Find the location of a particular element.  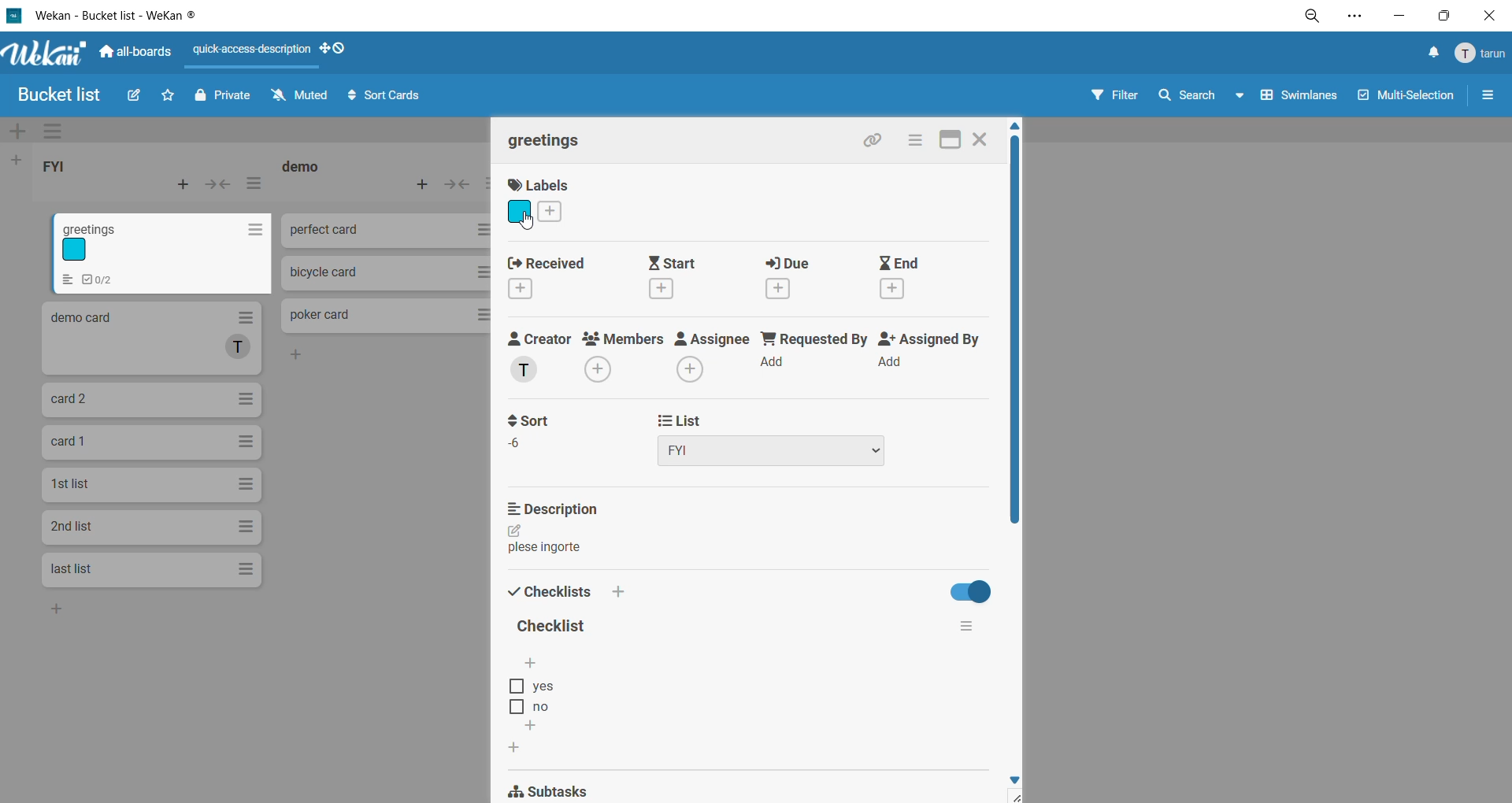

edit is located at coordinates (135, 96).